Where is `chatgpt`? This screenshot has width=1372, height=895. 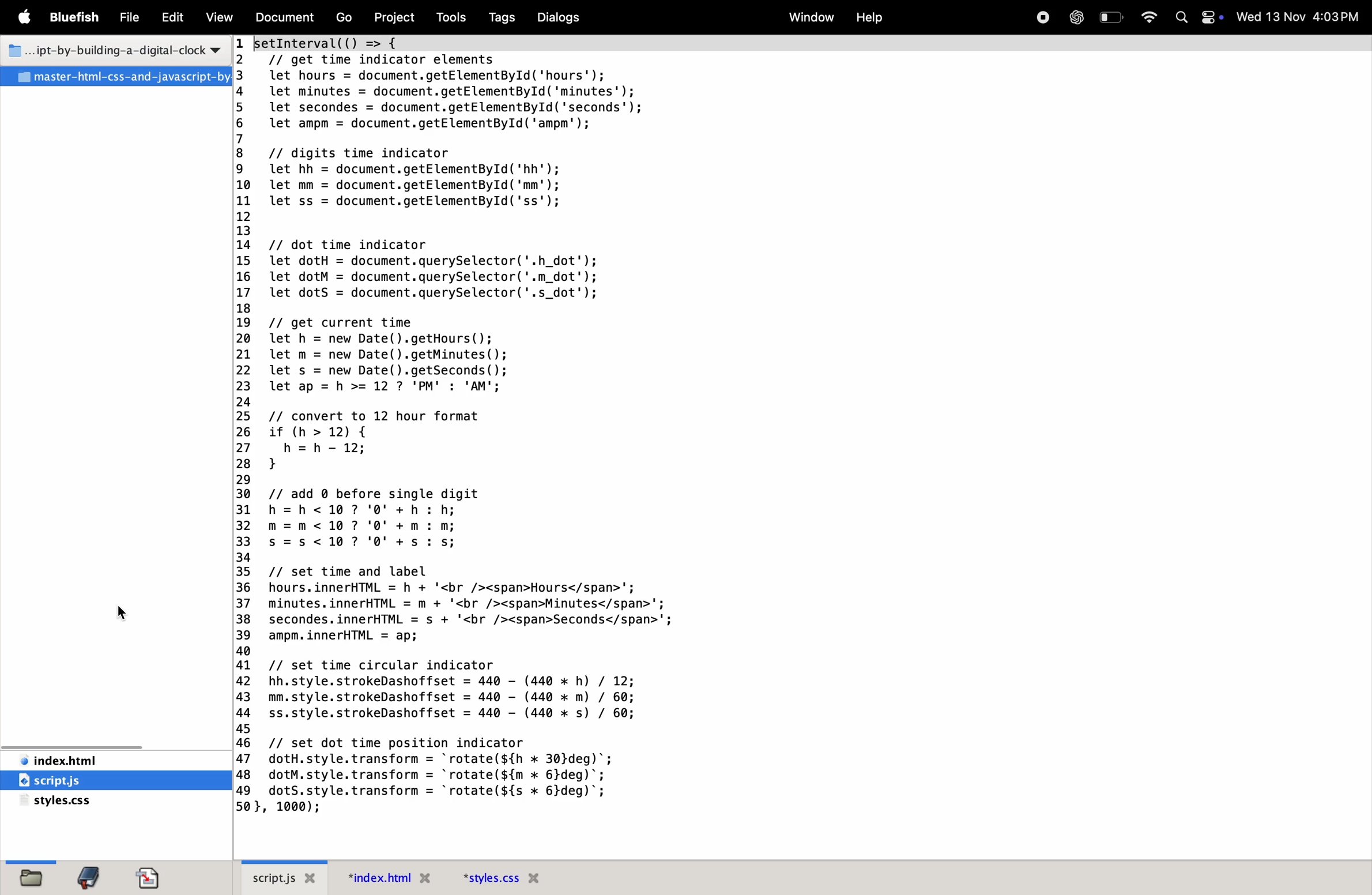
chatgpt is located at coordinates (1075, 17).